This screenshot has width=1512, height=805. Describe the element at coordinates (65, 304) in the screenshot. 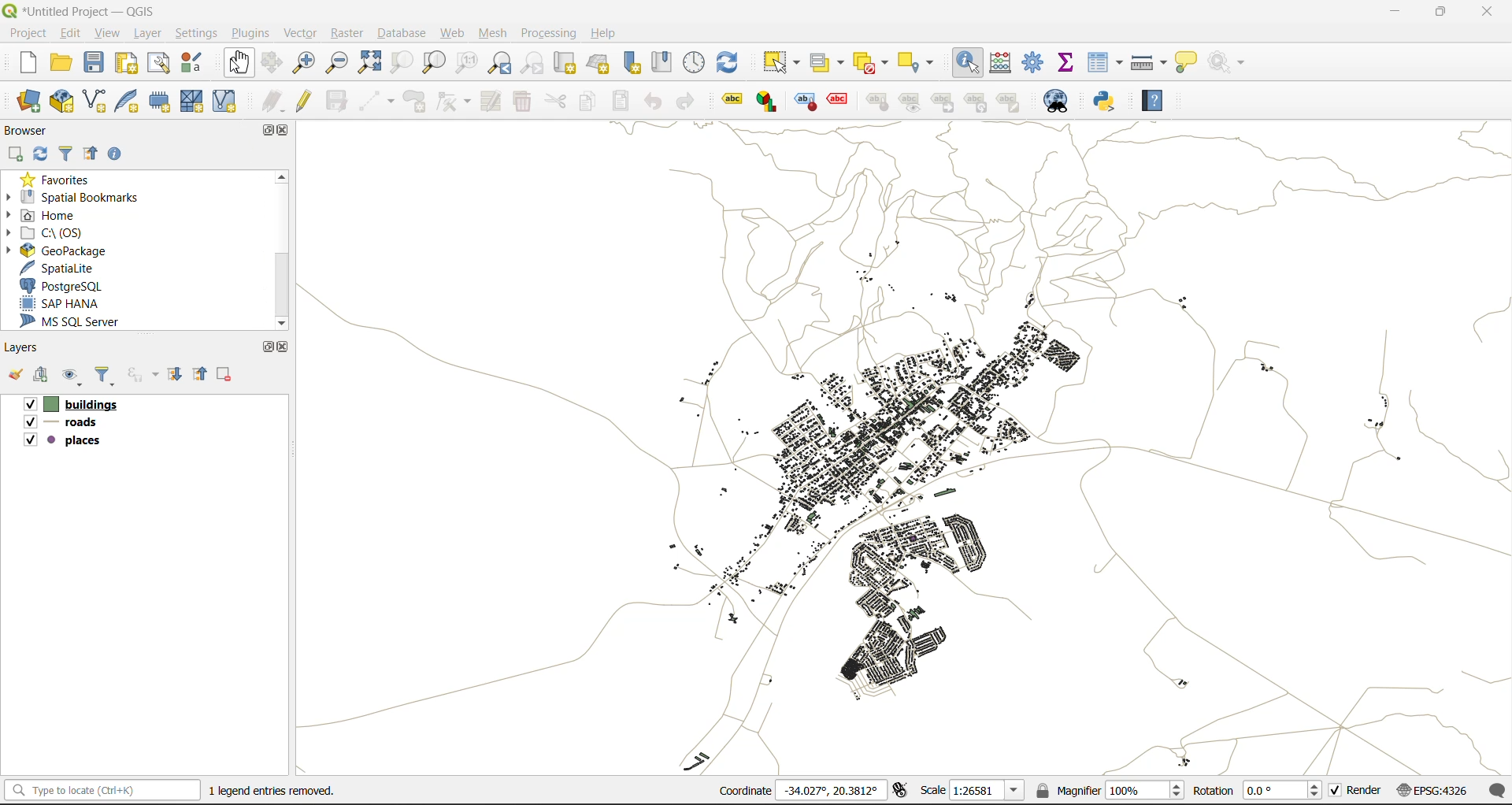

I see `sap hana` at that location.